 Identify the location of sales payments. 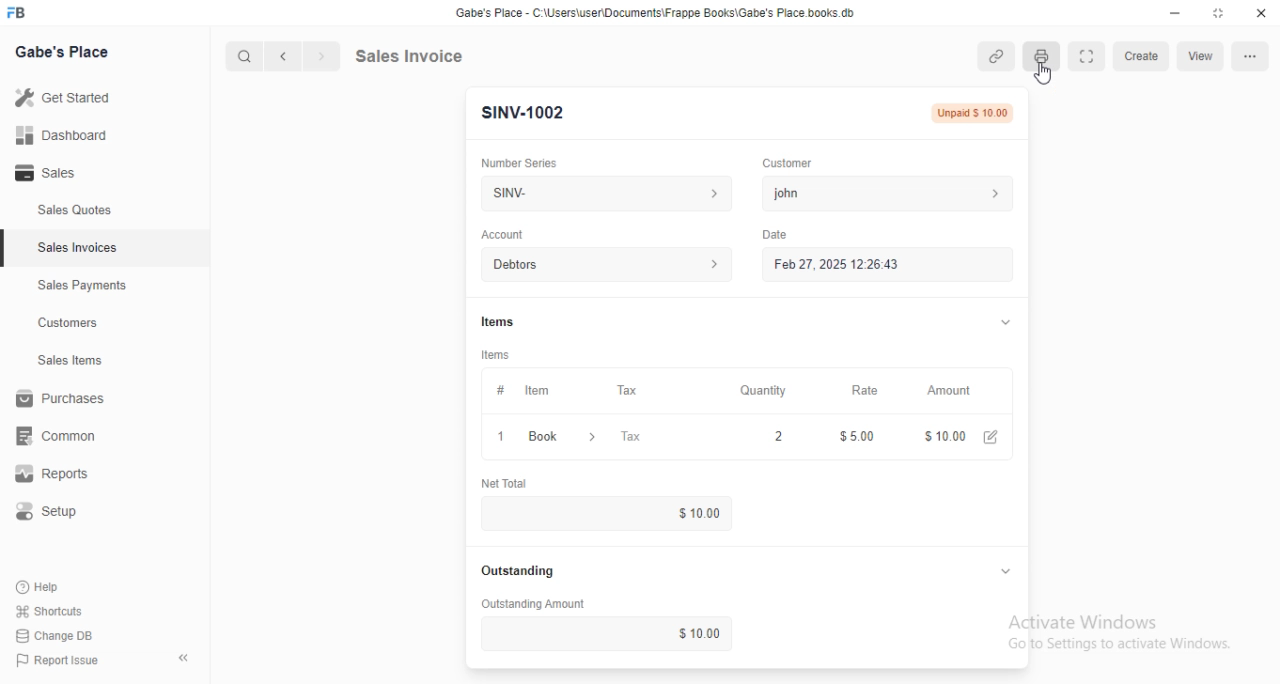
(82, 285).